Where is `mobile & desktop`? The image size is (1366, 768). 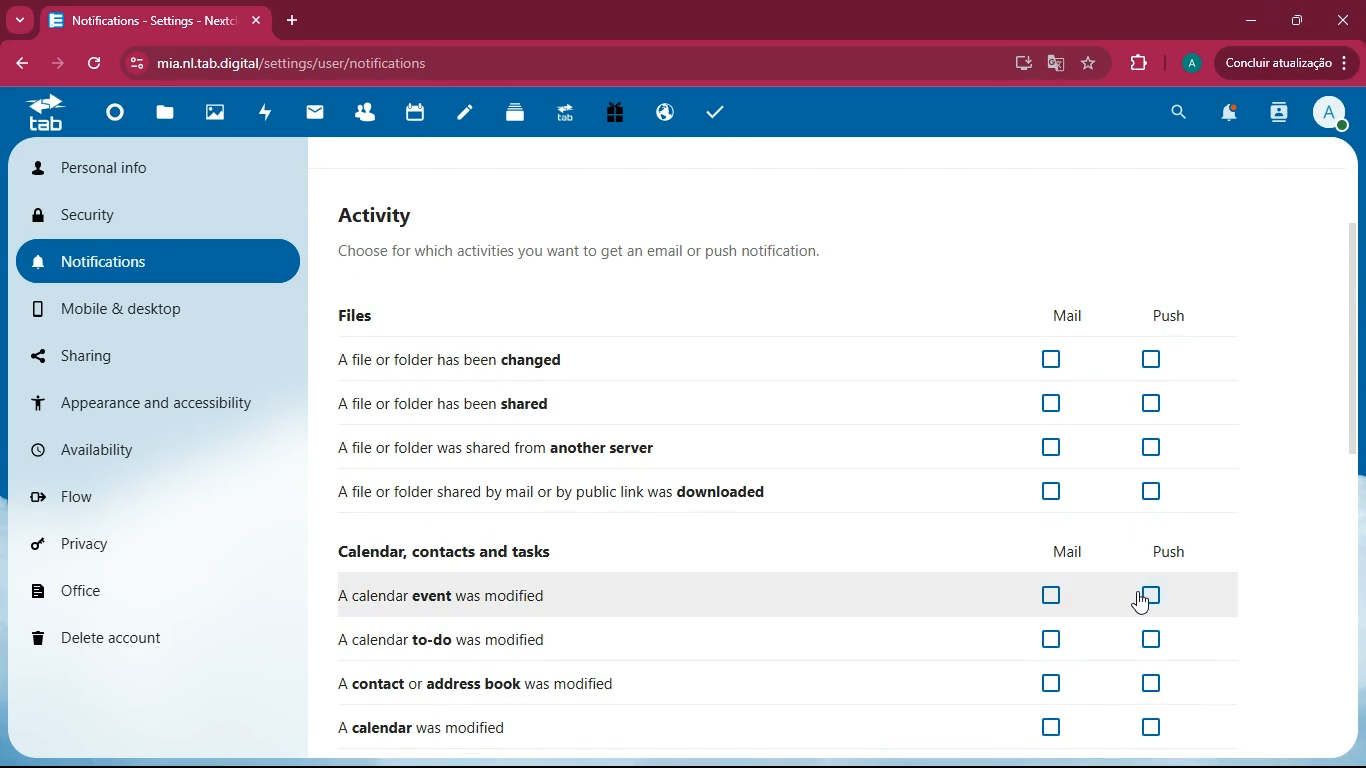
mobile & desktop is located at coordinates (142, 311).